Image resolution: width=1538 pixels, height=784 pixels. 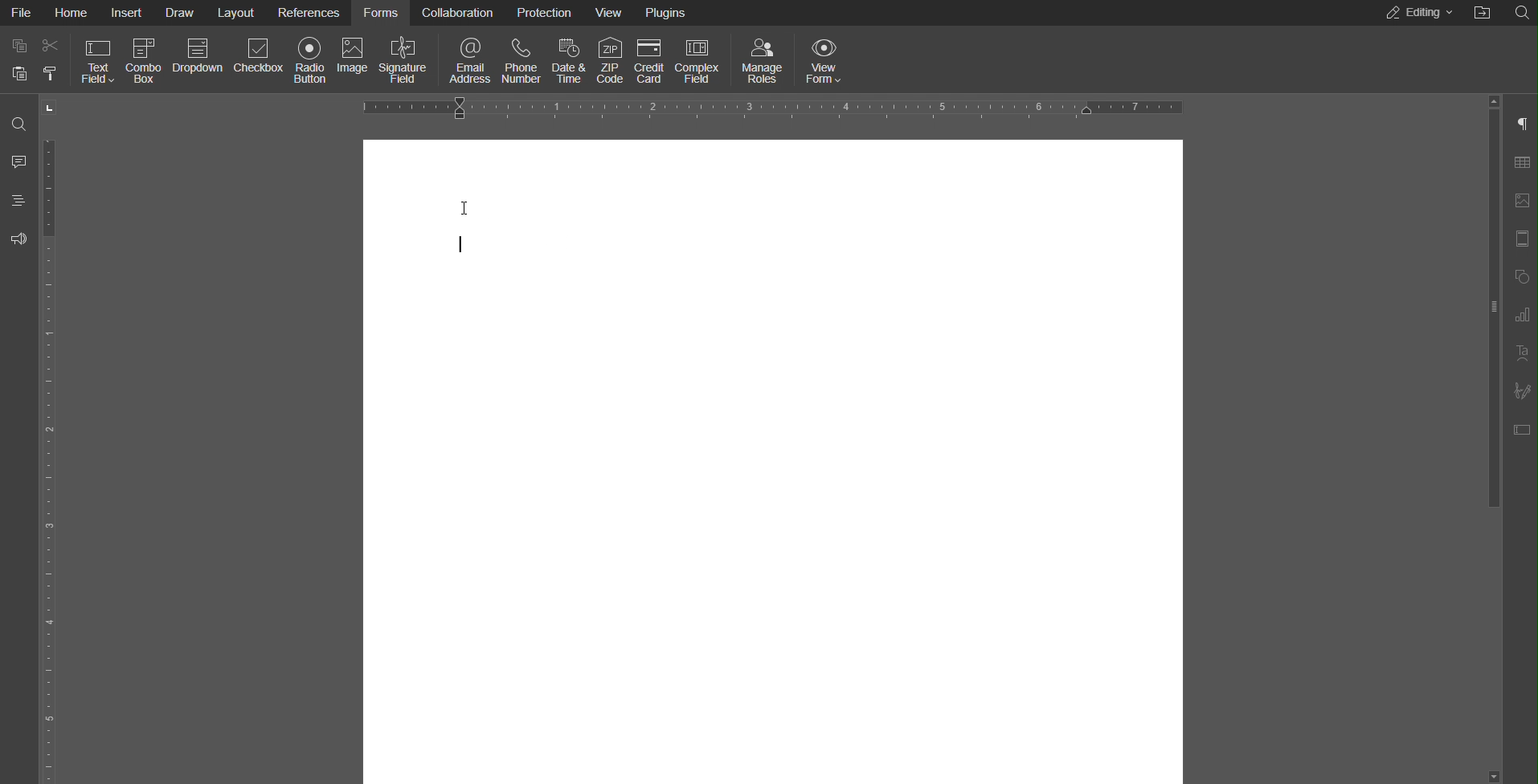 I want to click on Horizontal Ruler, so click(x=776, y=108).